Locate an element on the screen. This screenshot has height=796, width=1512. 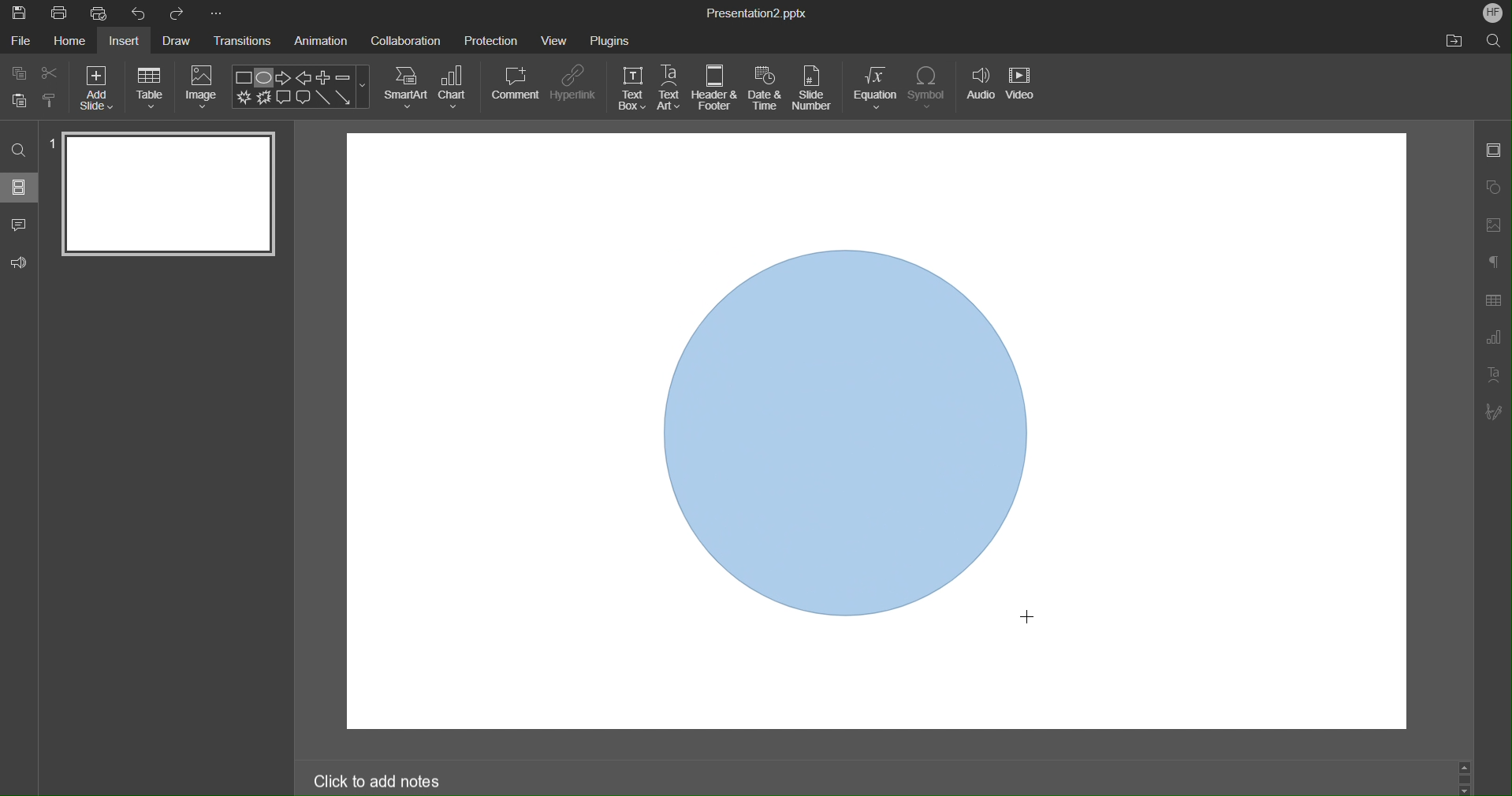
Chart is located at coordinates (455, 87).